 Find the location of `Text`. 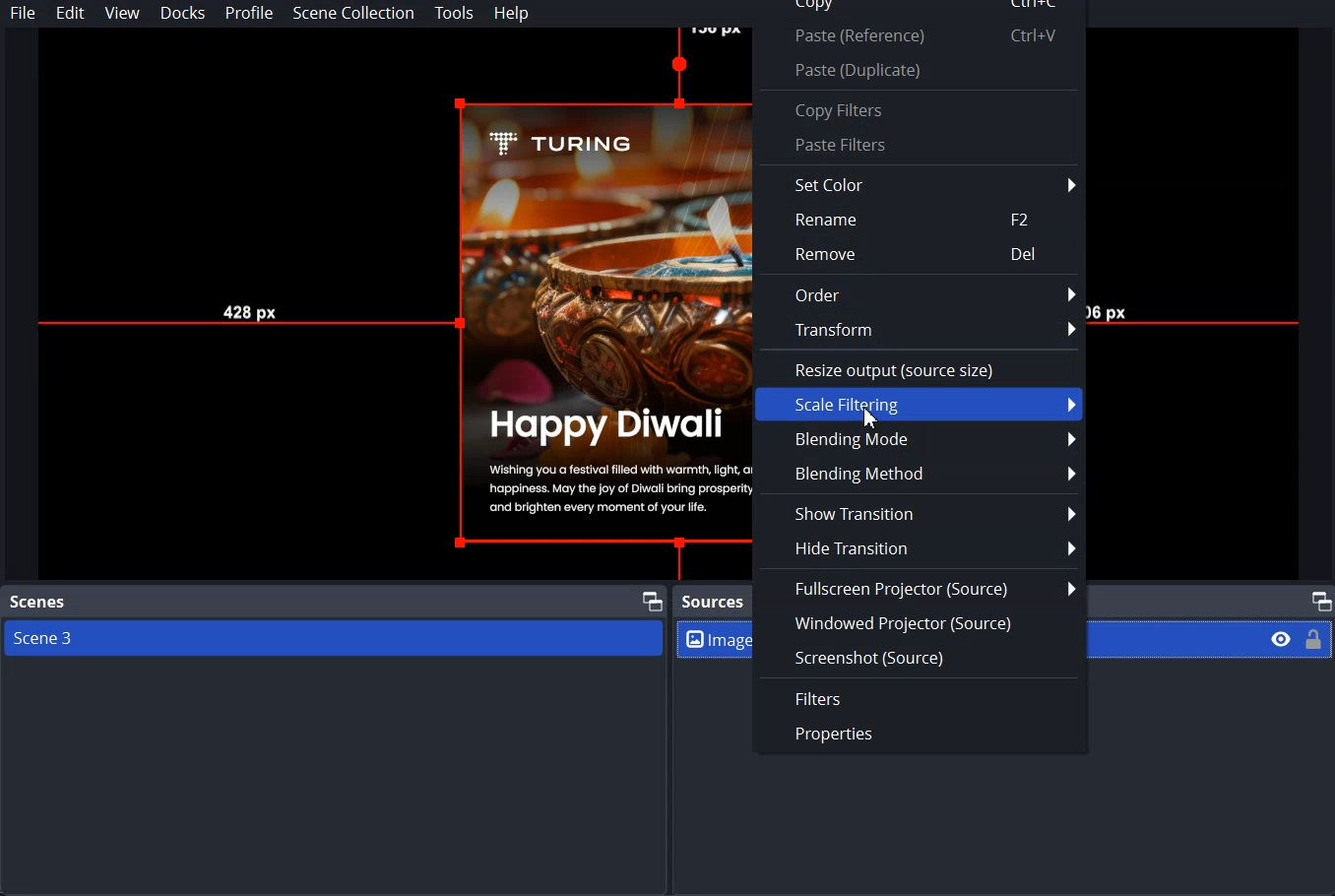

Text is located at coordinates (38, 603).